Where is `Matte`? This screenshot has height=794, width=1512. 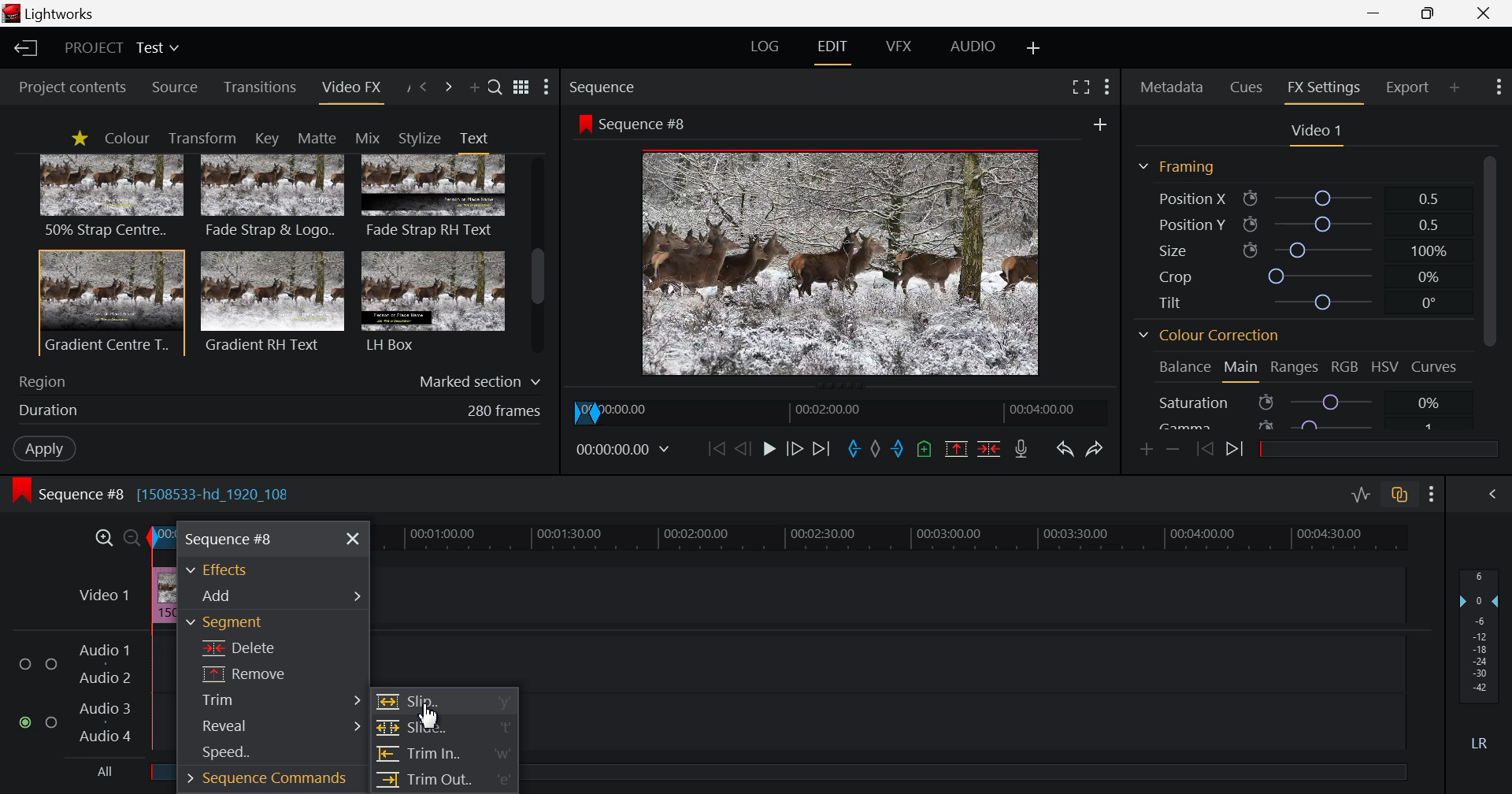
Matte is located at coordinates (316, 137).